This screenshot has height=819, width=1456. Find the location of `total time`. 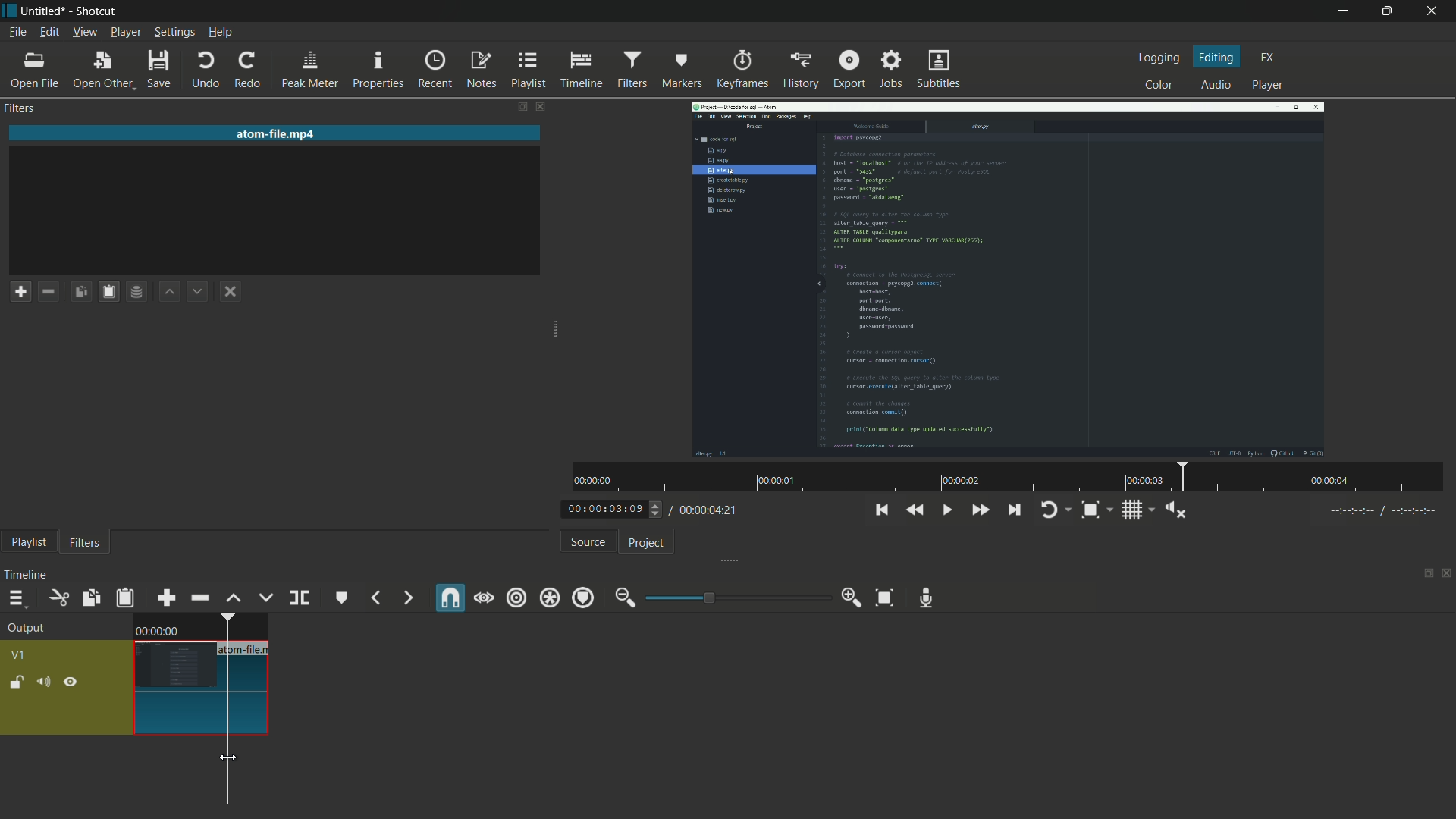

total time is located at coordinates (711, 510).